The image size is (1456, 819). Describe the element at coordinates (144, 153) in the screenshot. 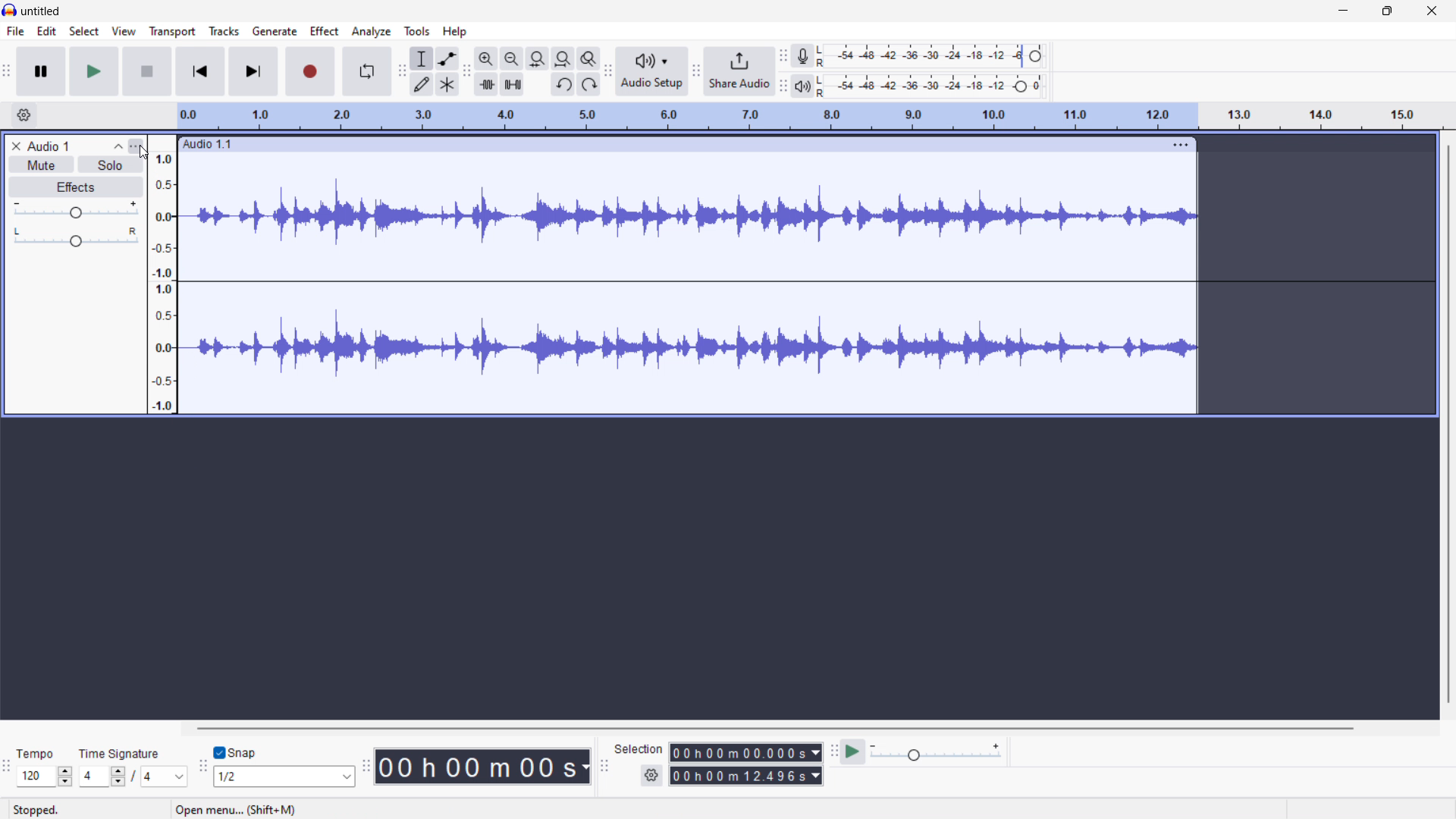

I see `cursor` at that location.